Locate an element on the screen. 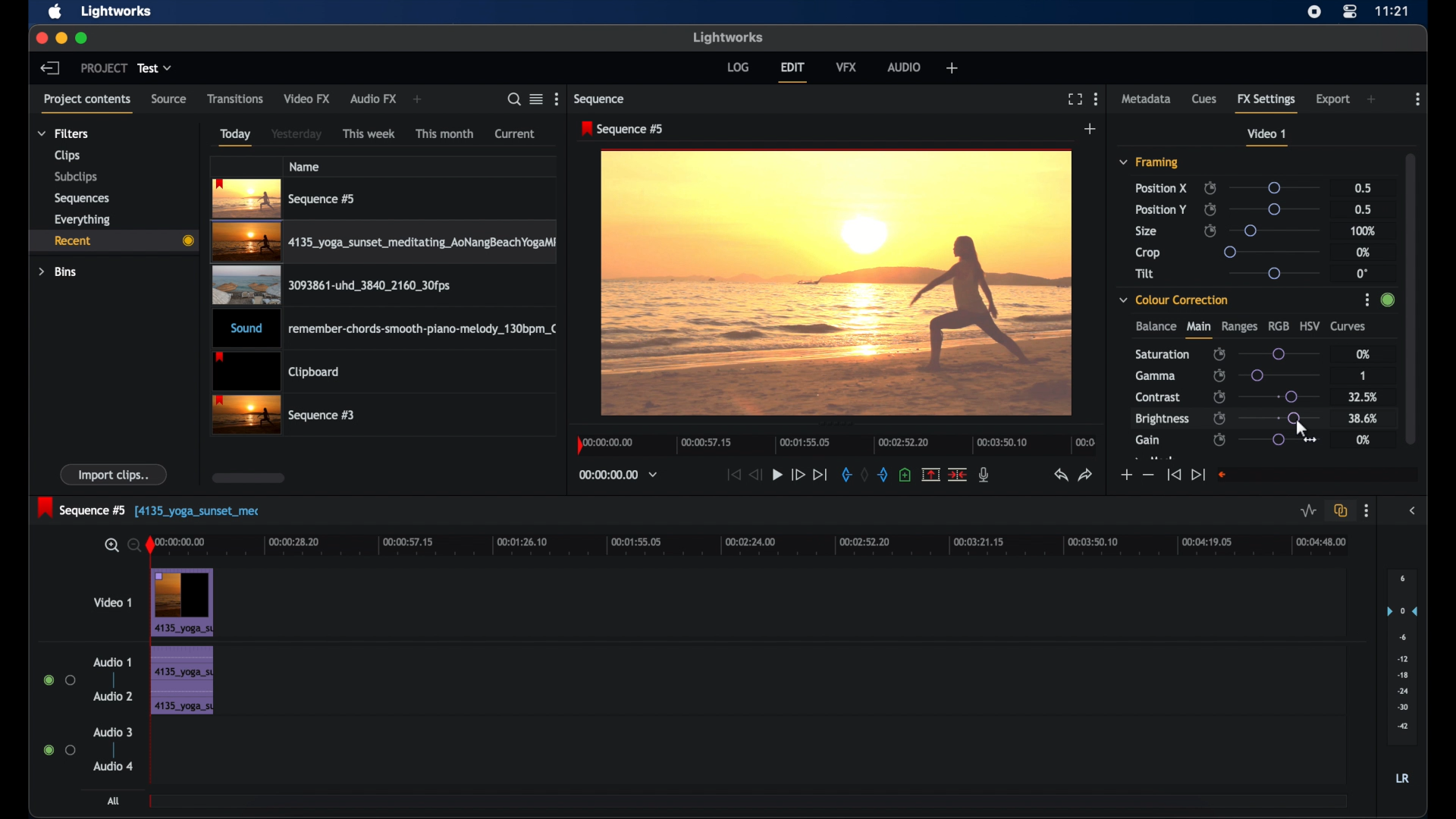  jump to end is located at coordinates (820, 475).